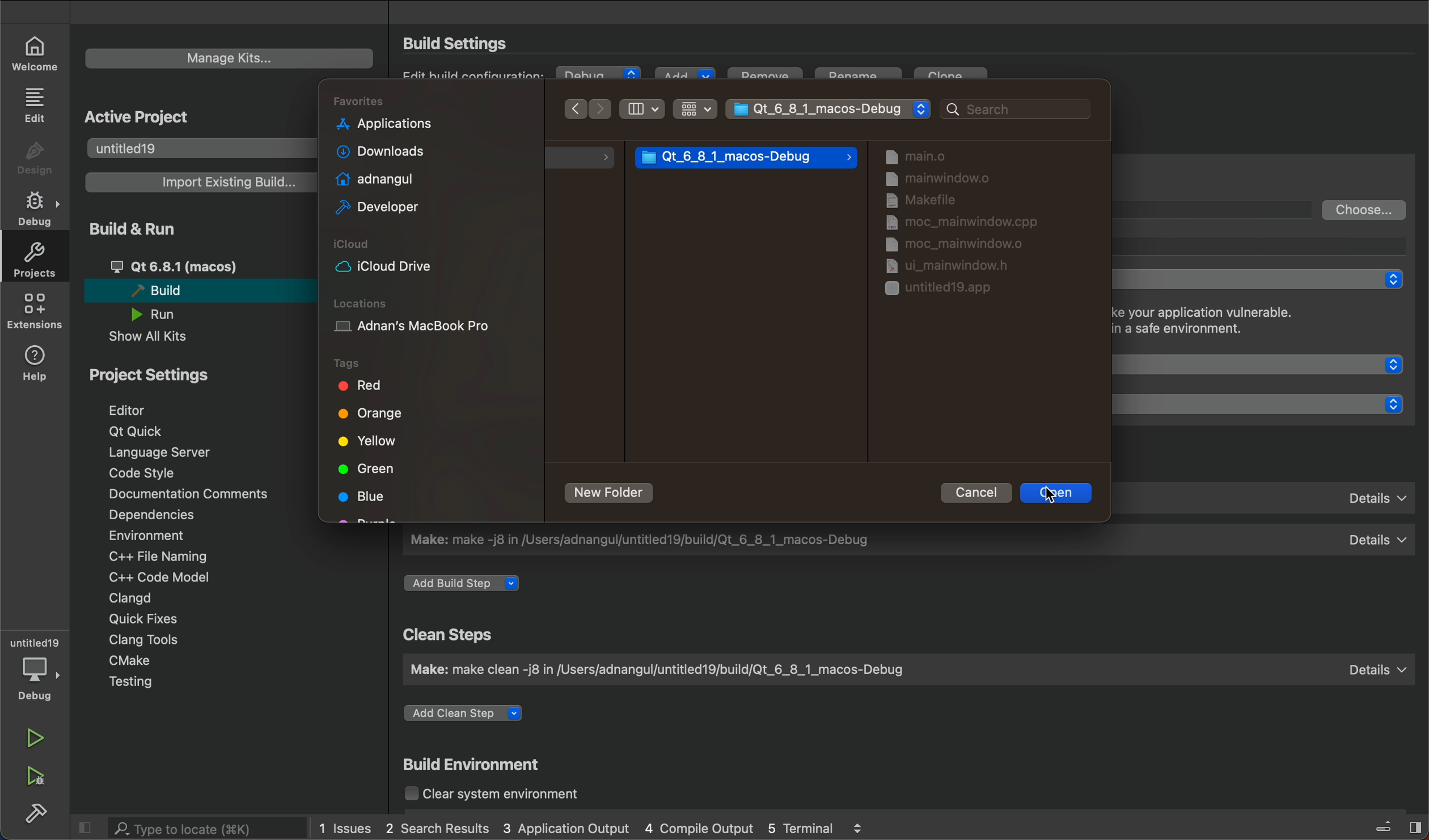  Describe the element at coordinates (36, 52) in the screenshot. I see `WELCOME` at that location.